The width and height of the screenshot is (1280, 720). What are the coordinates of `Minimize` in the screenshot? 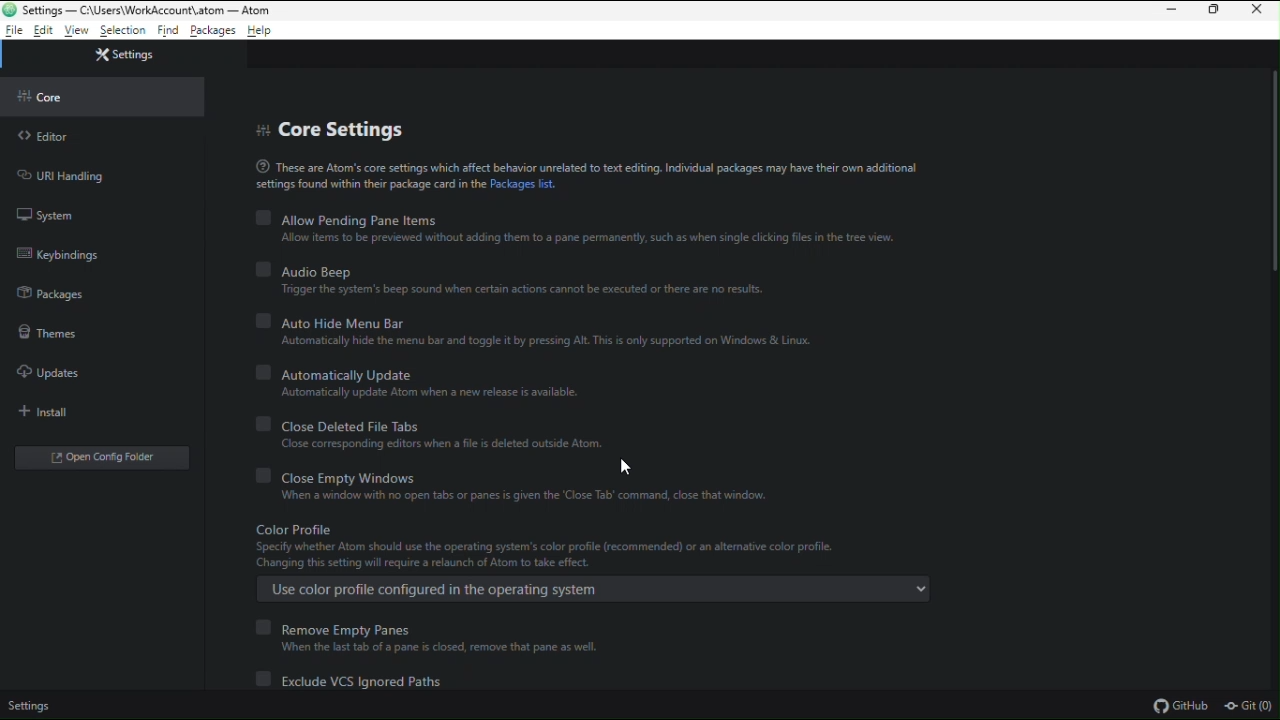 It's located at (1168, 11).